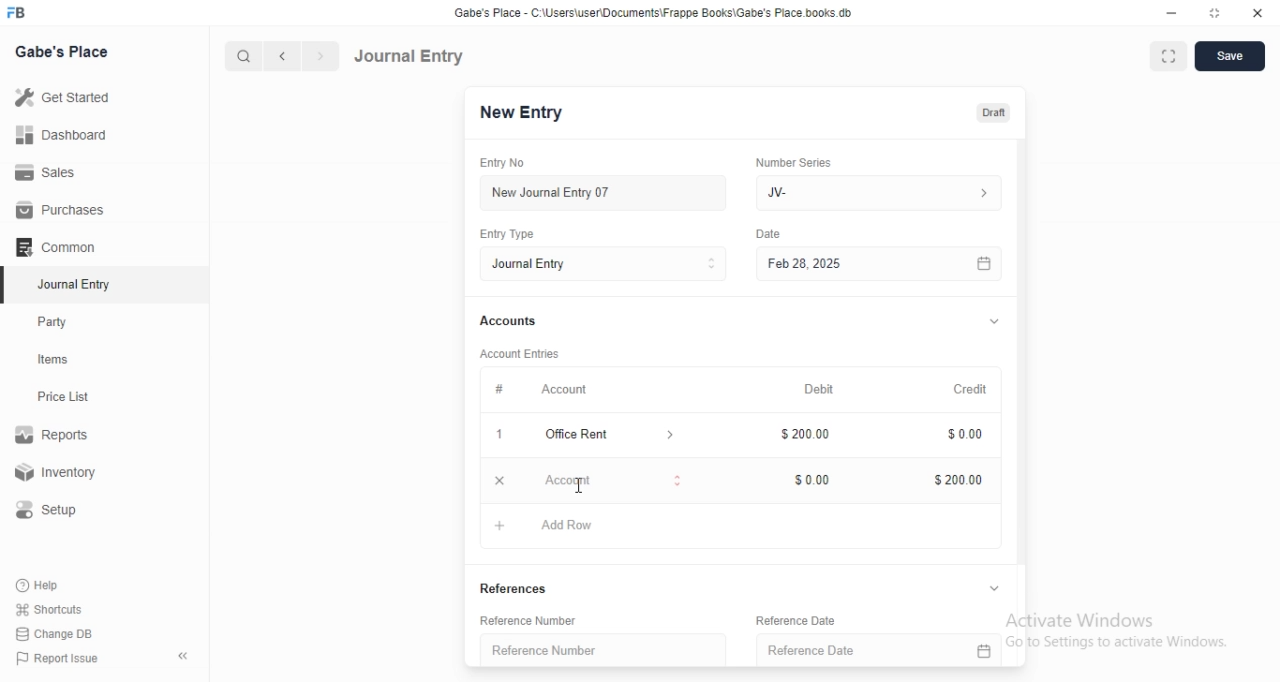 This screenshot has height=682, width=1280. I want to click on close, so click(1258, 12).